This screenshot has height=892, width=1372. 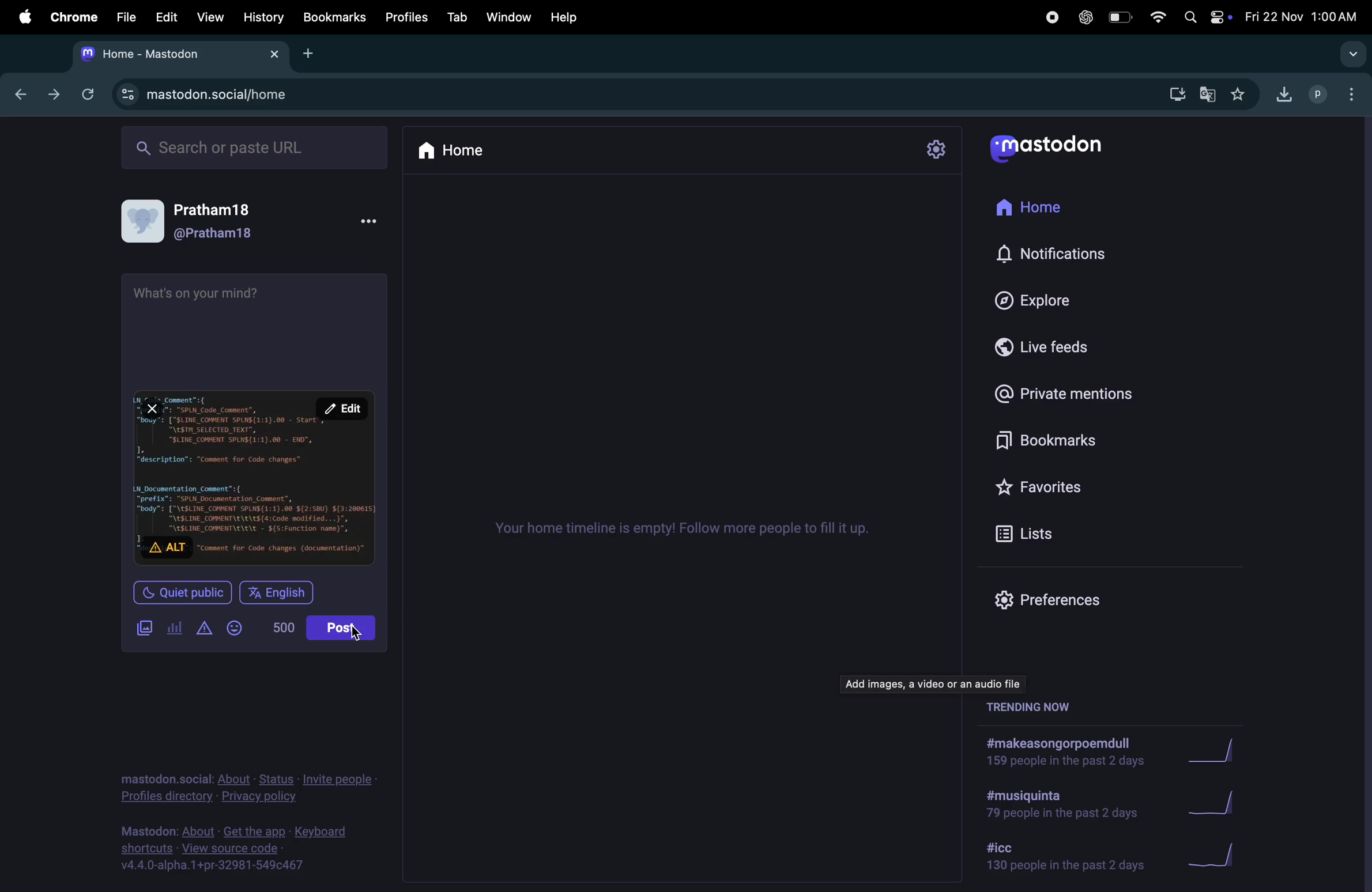 I want to click on edit, so click(x=166, y=17).